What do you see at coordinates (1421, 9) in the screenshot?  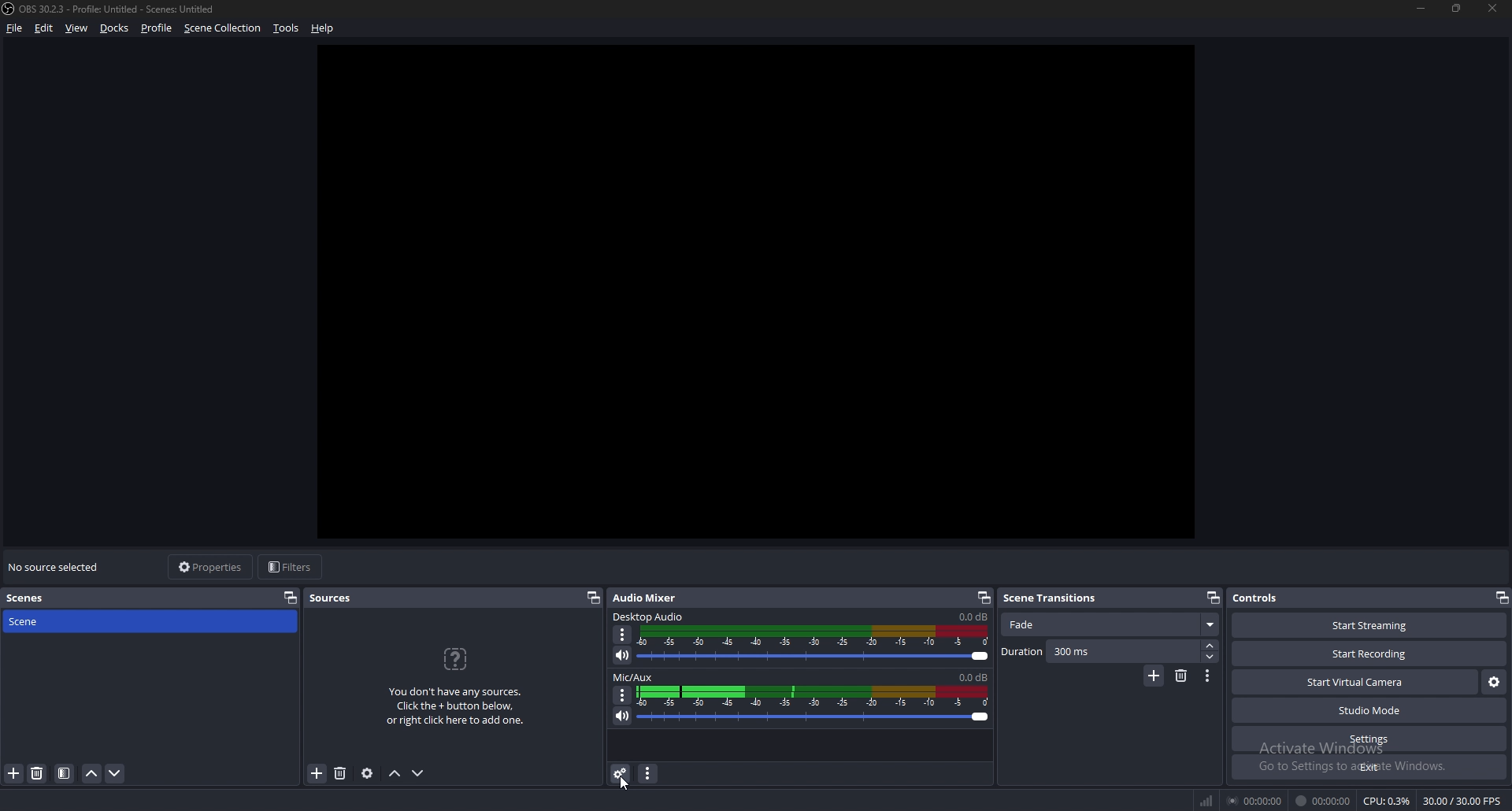 I see `minimize` at bounding box center [1421, 9].